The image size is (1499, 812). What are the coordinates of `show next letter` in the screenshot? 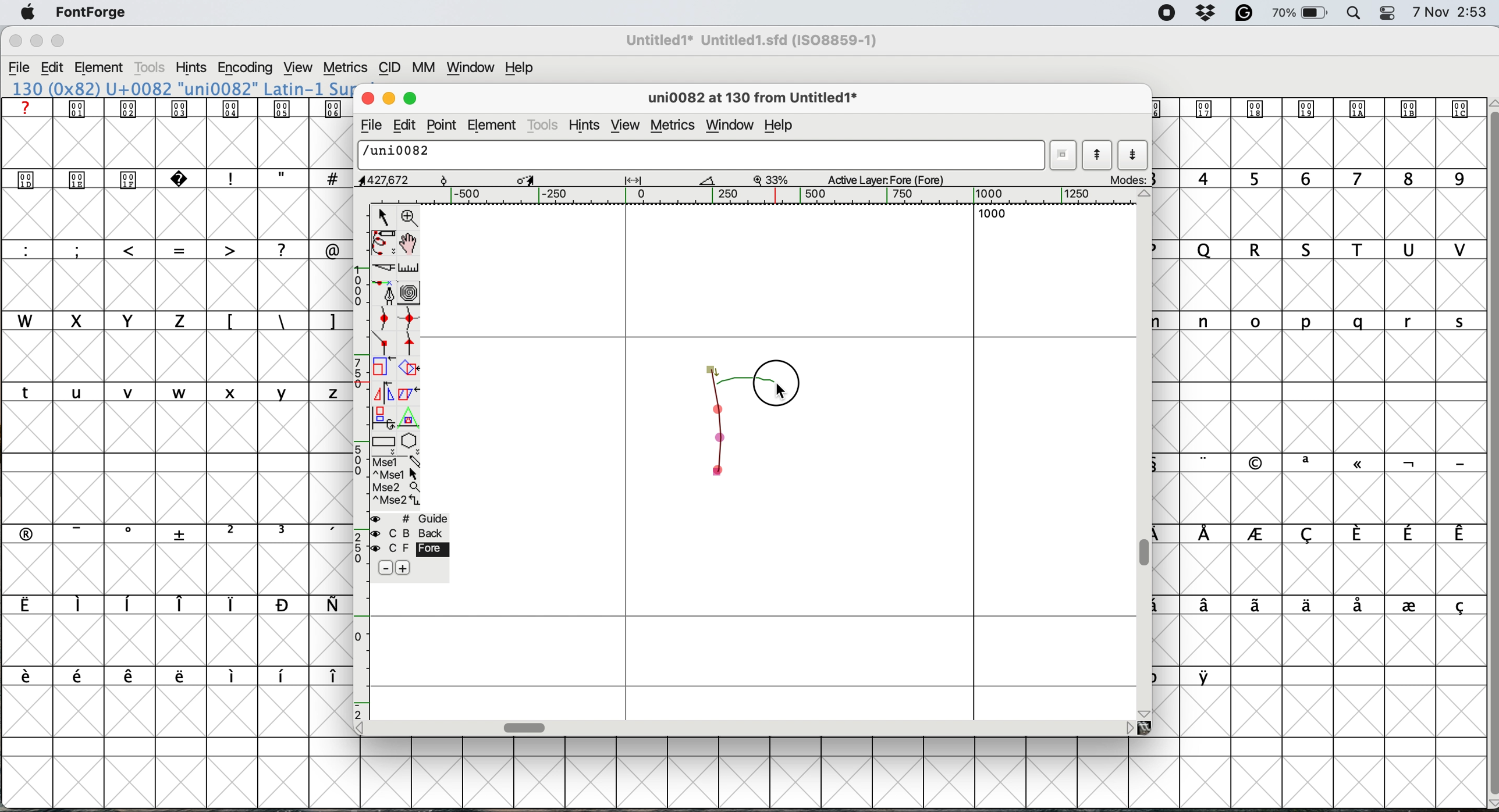 It's located at (1132, 156).